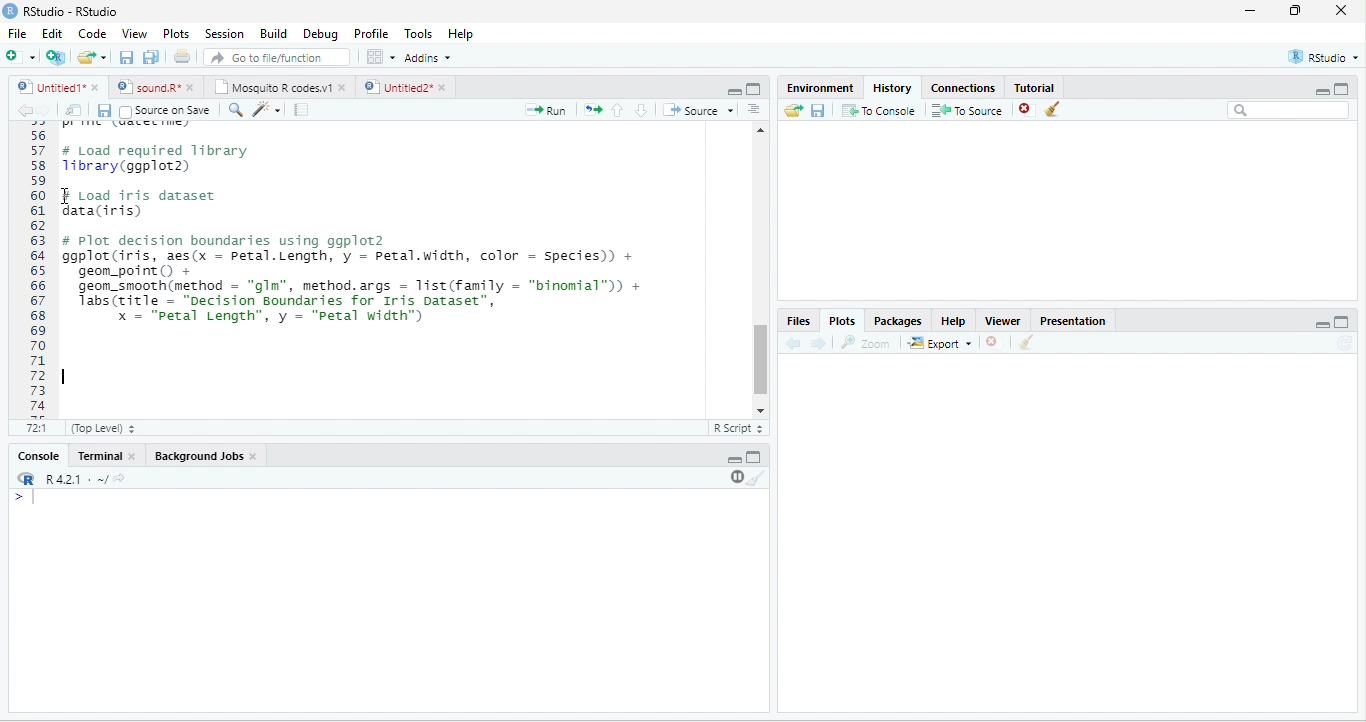 The image size is (1366, 722). Describe the element at coordinates (1321, 92) in the screenshot. I see `minimize` at that location.